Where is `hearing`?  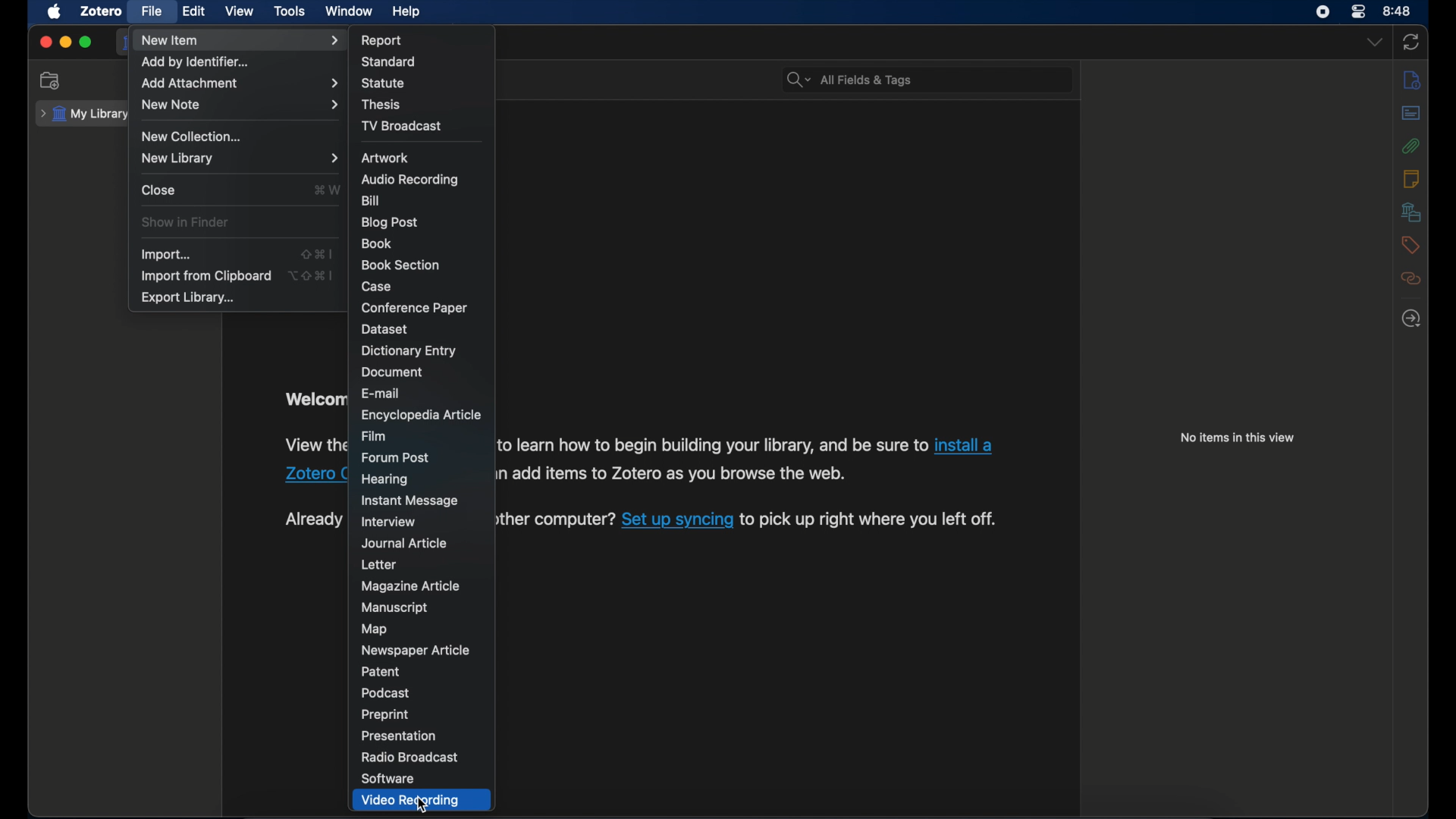
hearing is located at coordinates (385, 480).